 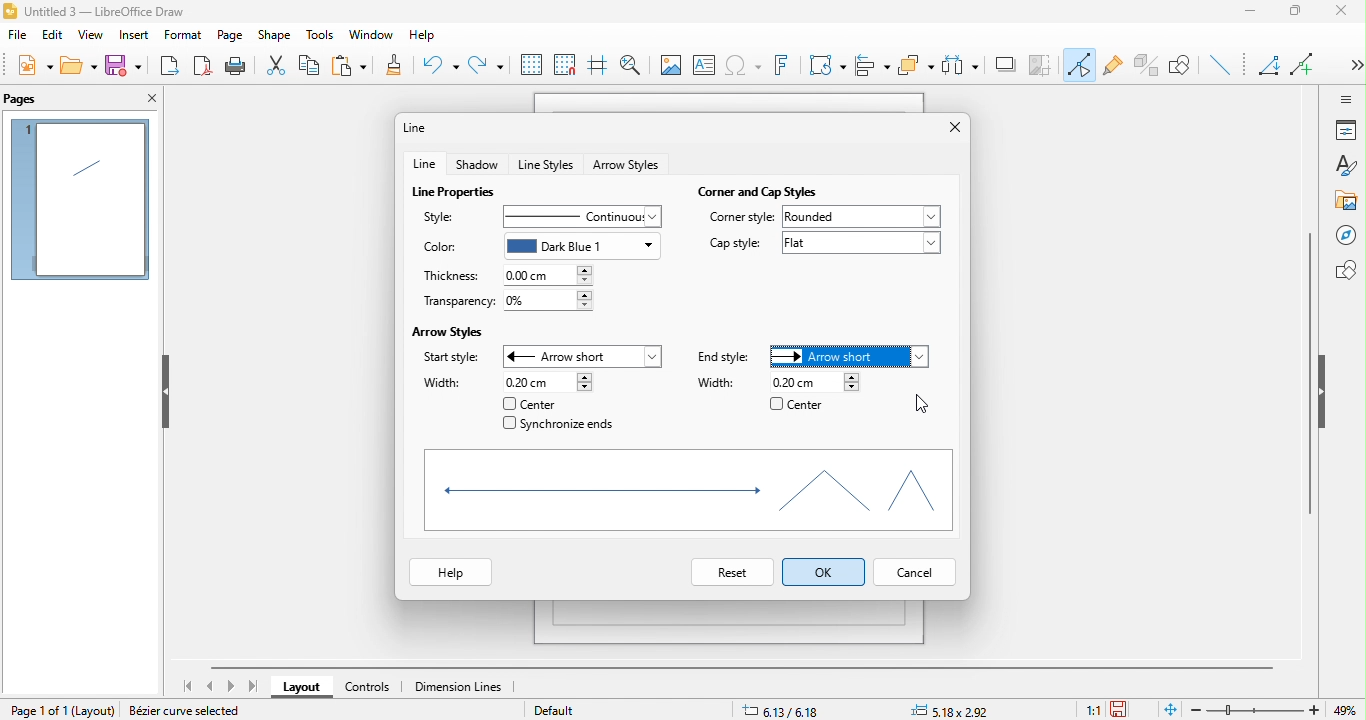 I want to click on gluepoint function, so click(x=1114, y=67).